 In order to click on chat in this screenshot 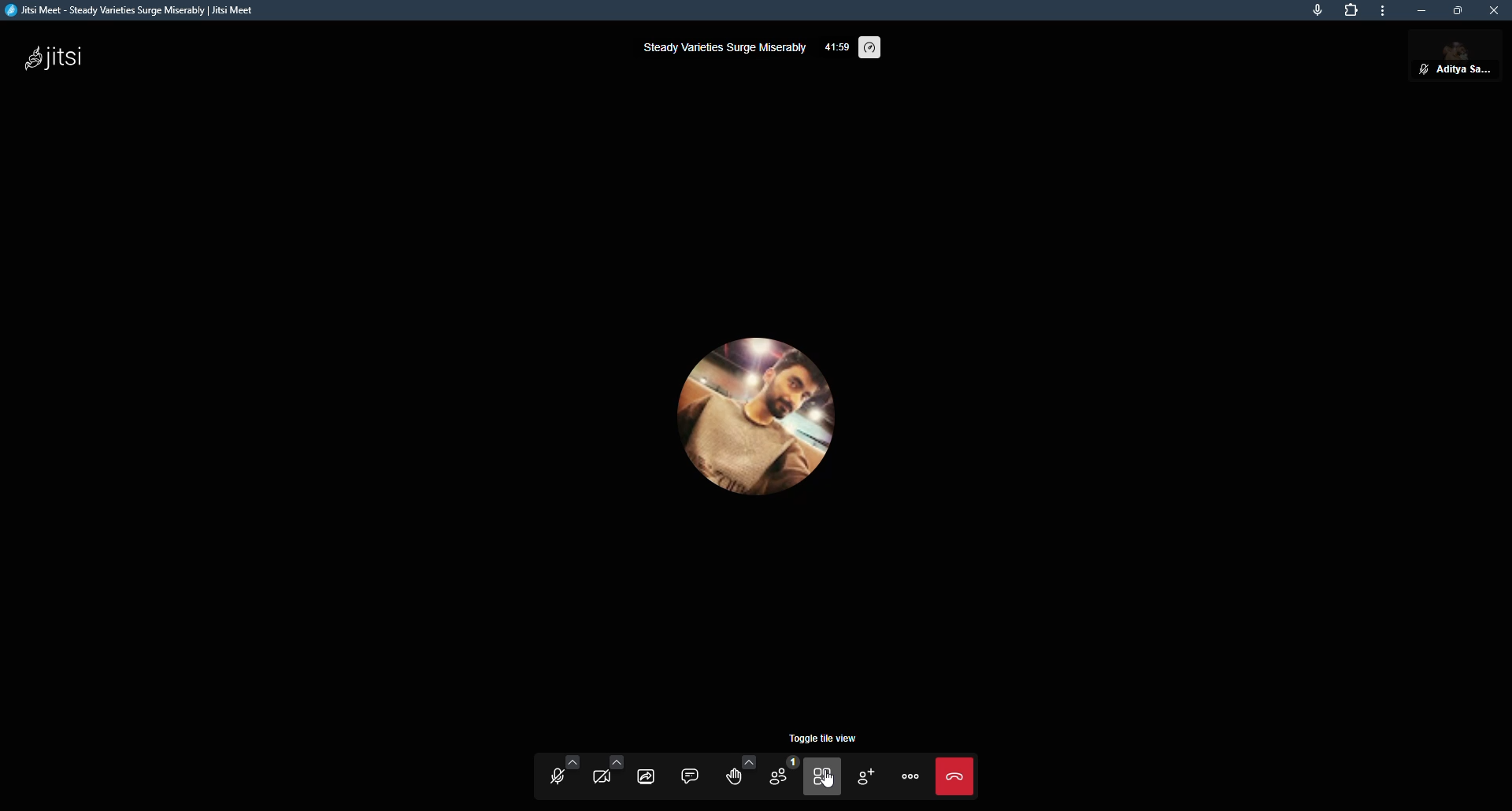, I will do `click(691, 776)`.